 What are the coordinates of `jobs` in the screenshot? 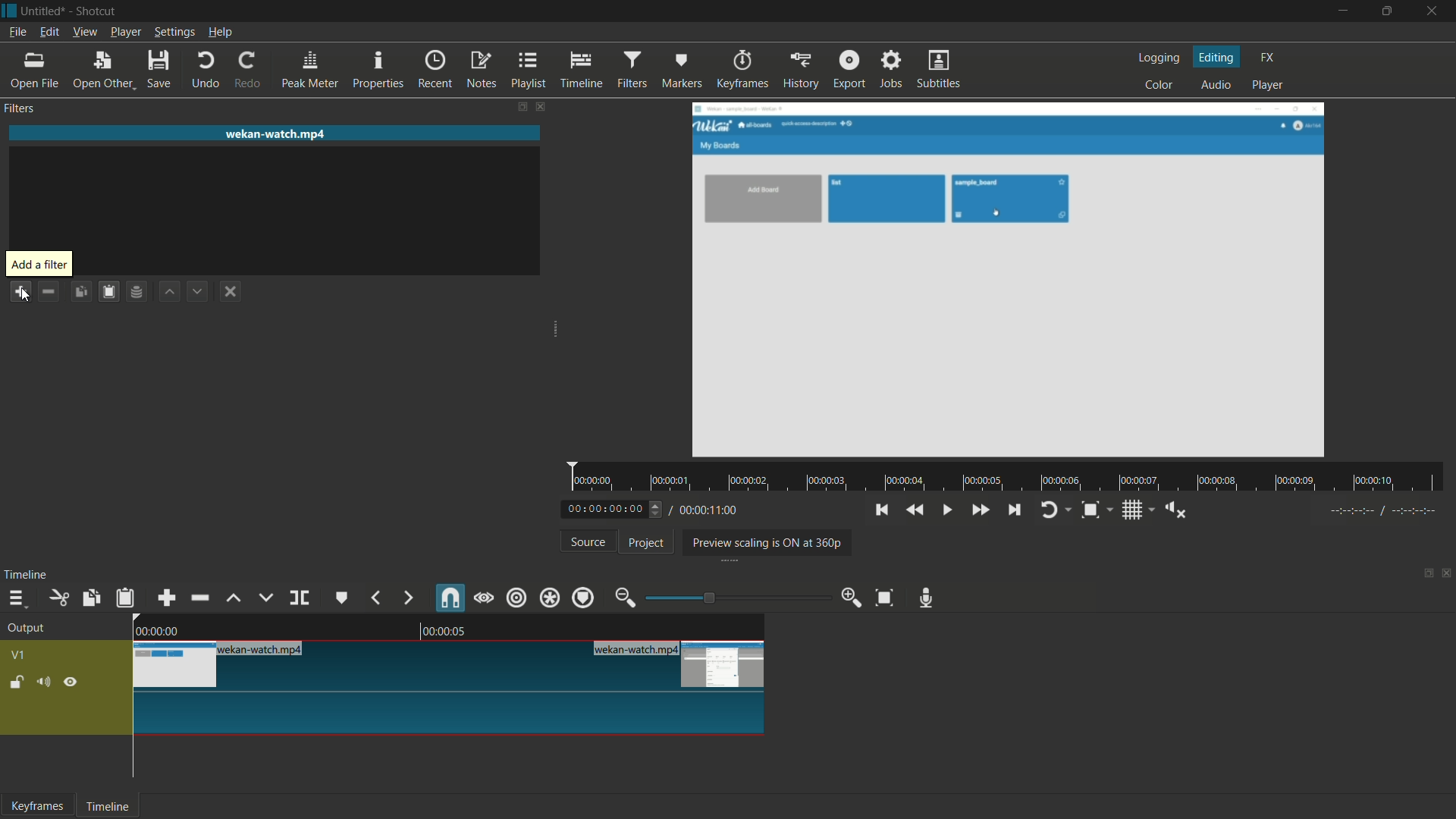 It's located at (893, 70).